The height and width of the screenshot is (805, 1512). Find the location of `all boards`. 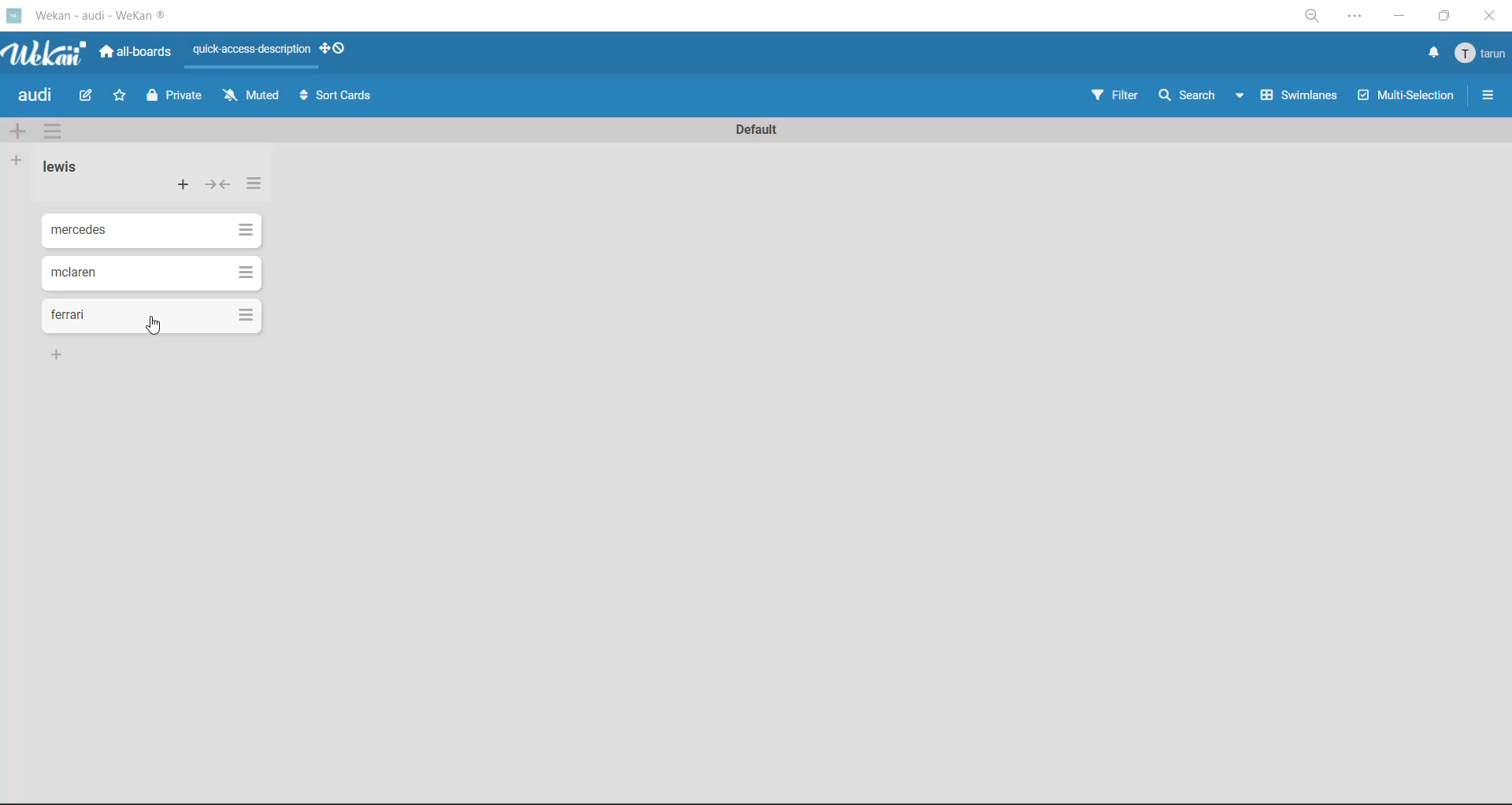

all boards is located at coordinates (136, 54).